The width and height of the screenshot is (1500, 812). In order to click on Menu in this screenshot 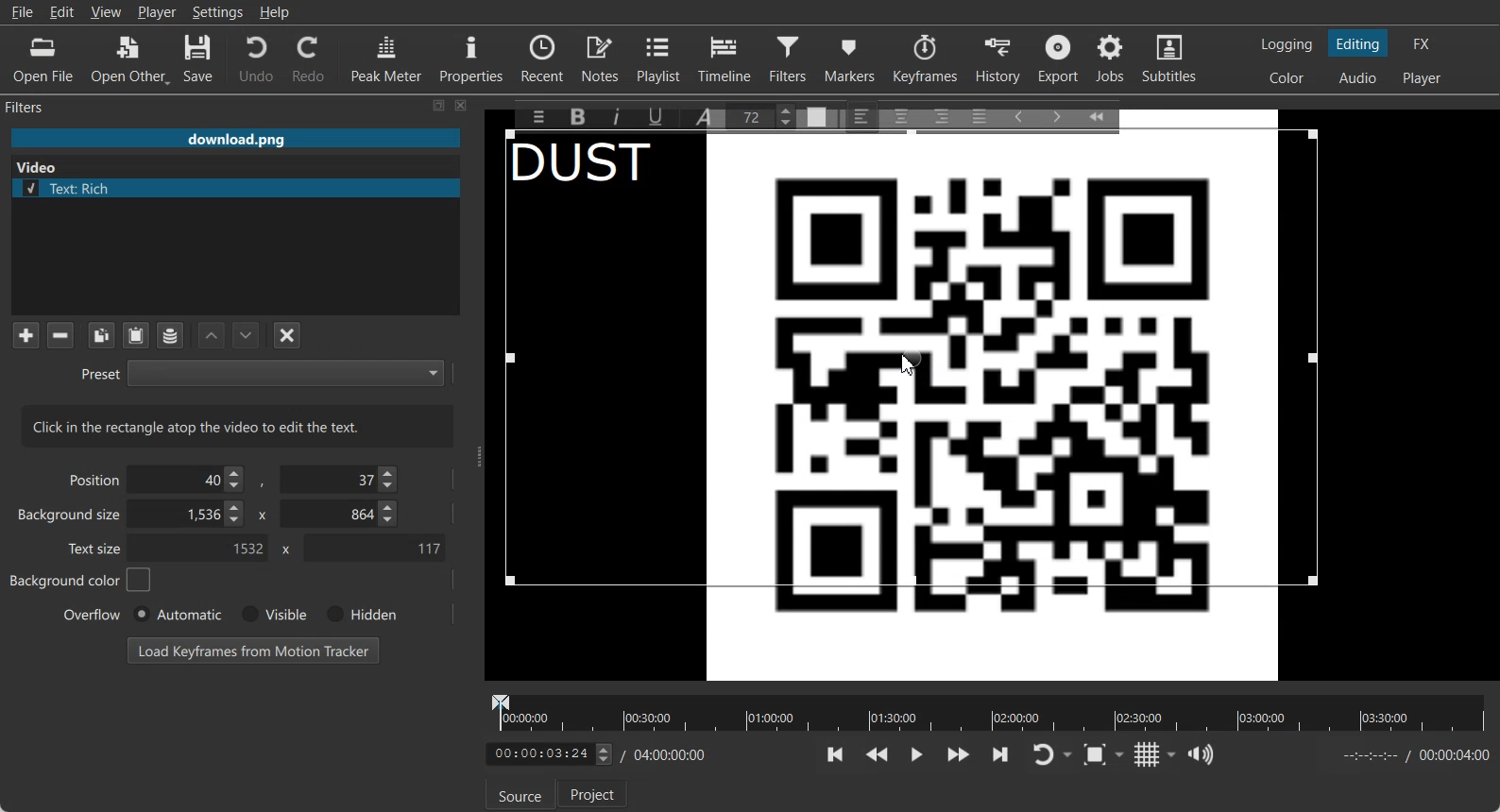, I will do `click(534, 116)`.